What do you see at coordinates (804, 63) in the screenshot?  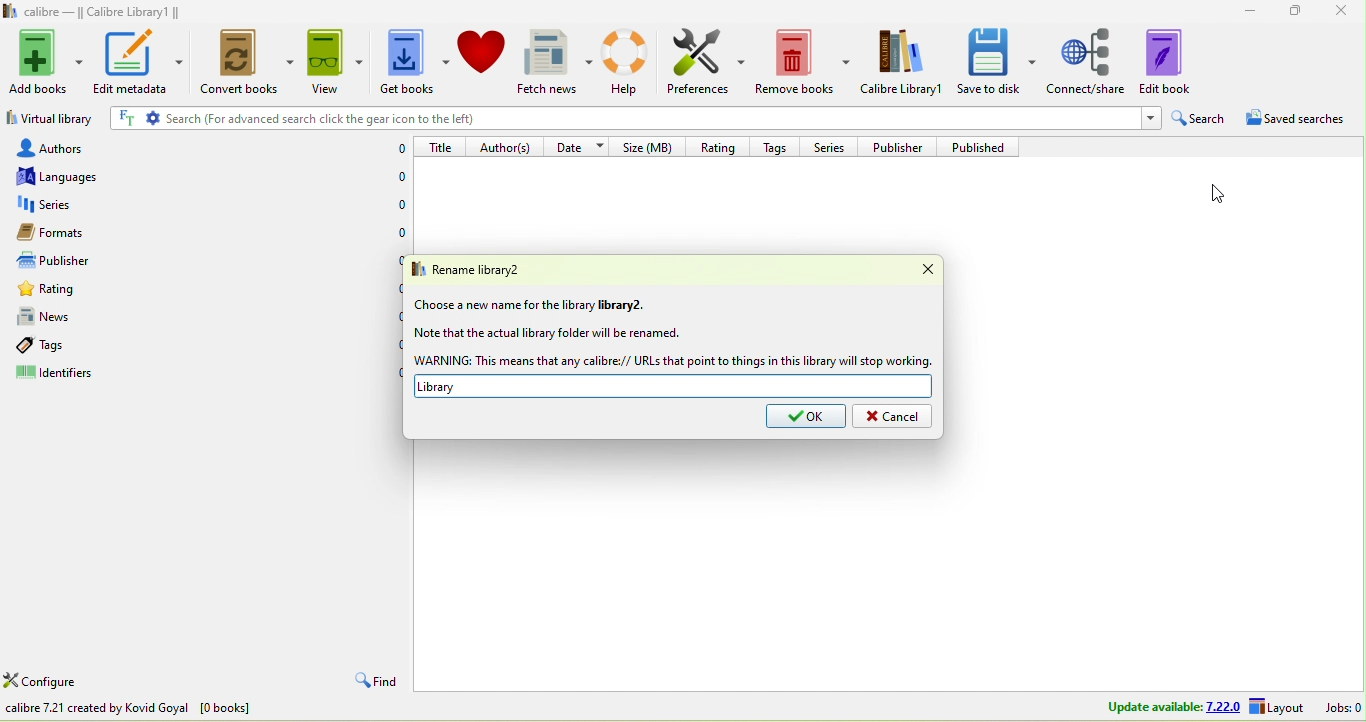 I see `remove books` at bounding box center [804, 63].